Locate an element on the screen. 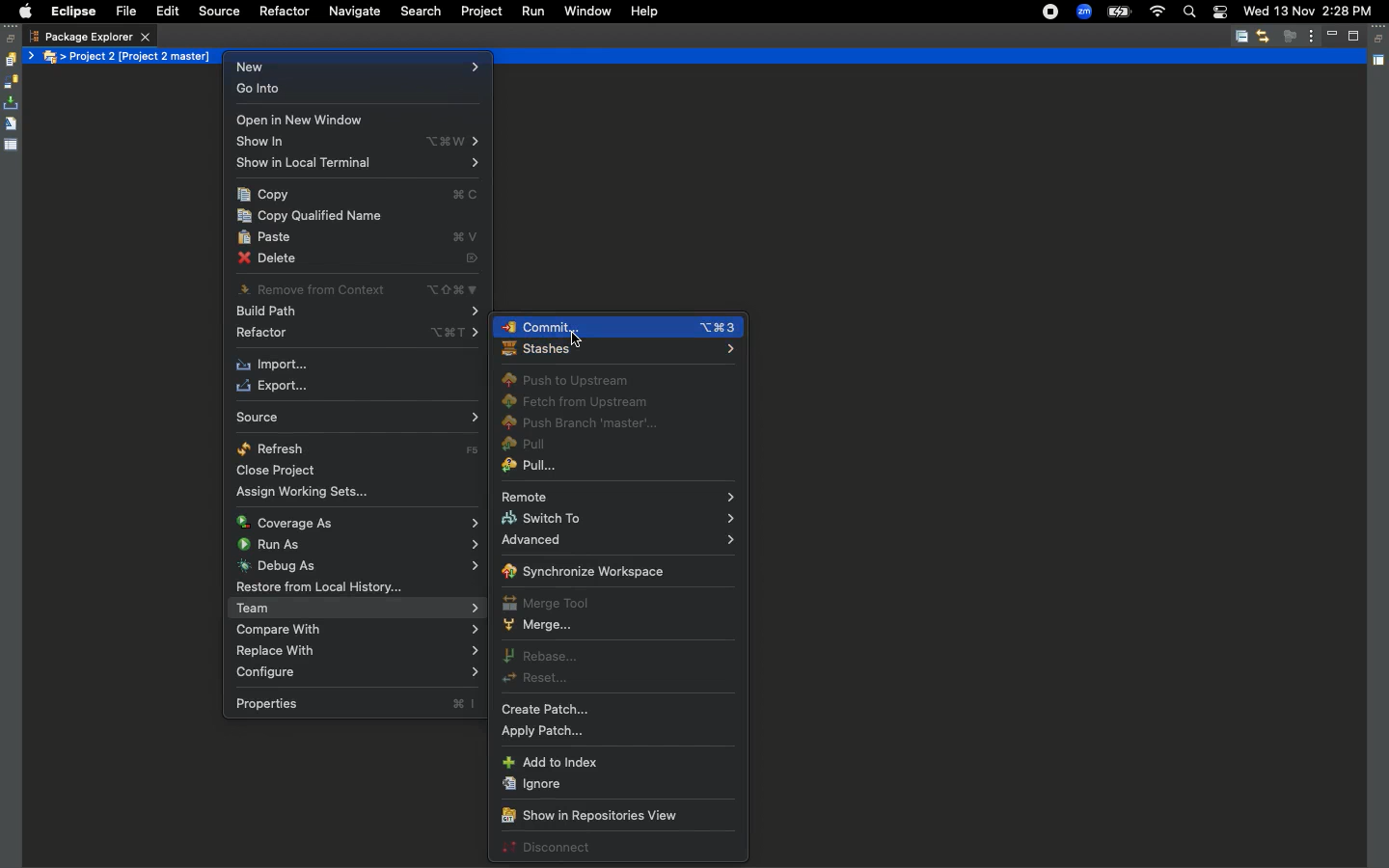 This screenshot has width=1389, height=868. Focus on active task is located at coordinates (1290, 36).